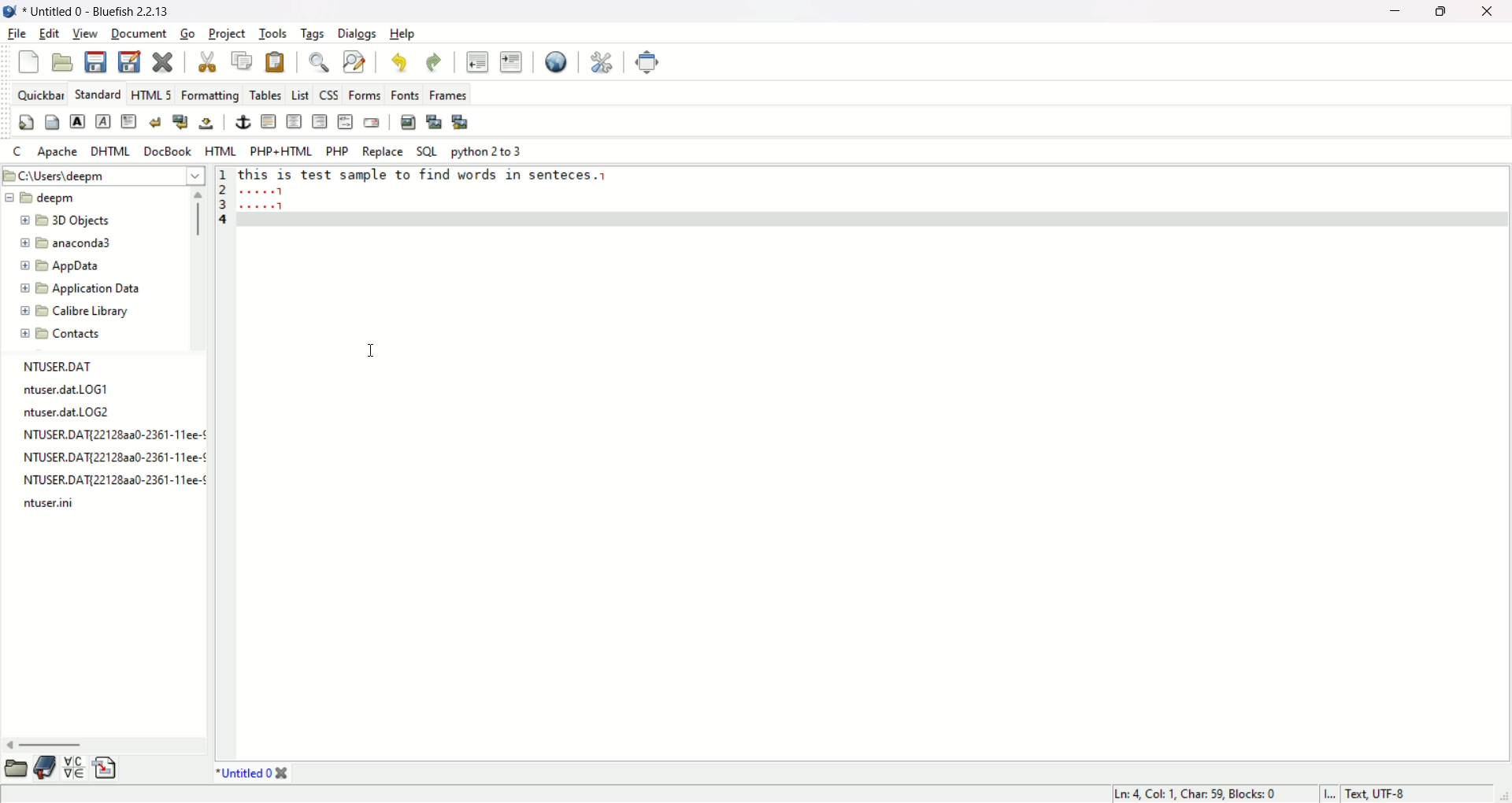  Describe the element at coordinates (94, 312) in the screenshot. I see `Calibre Library` at that location.